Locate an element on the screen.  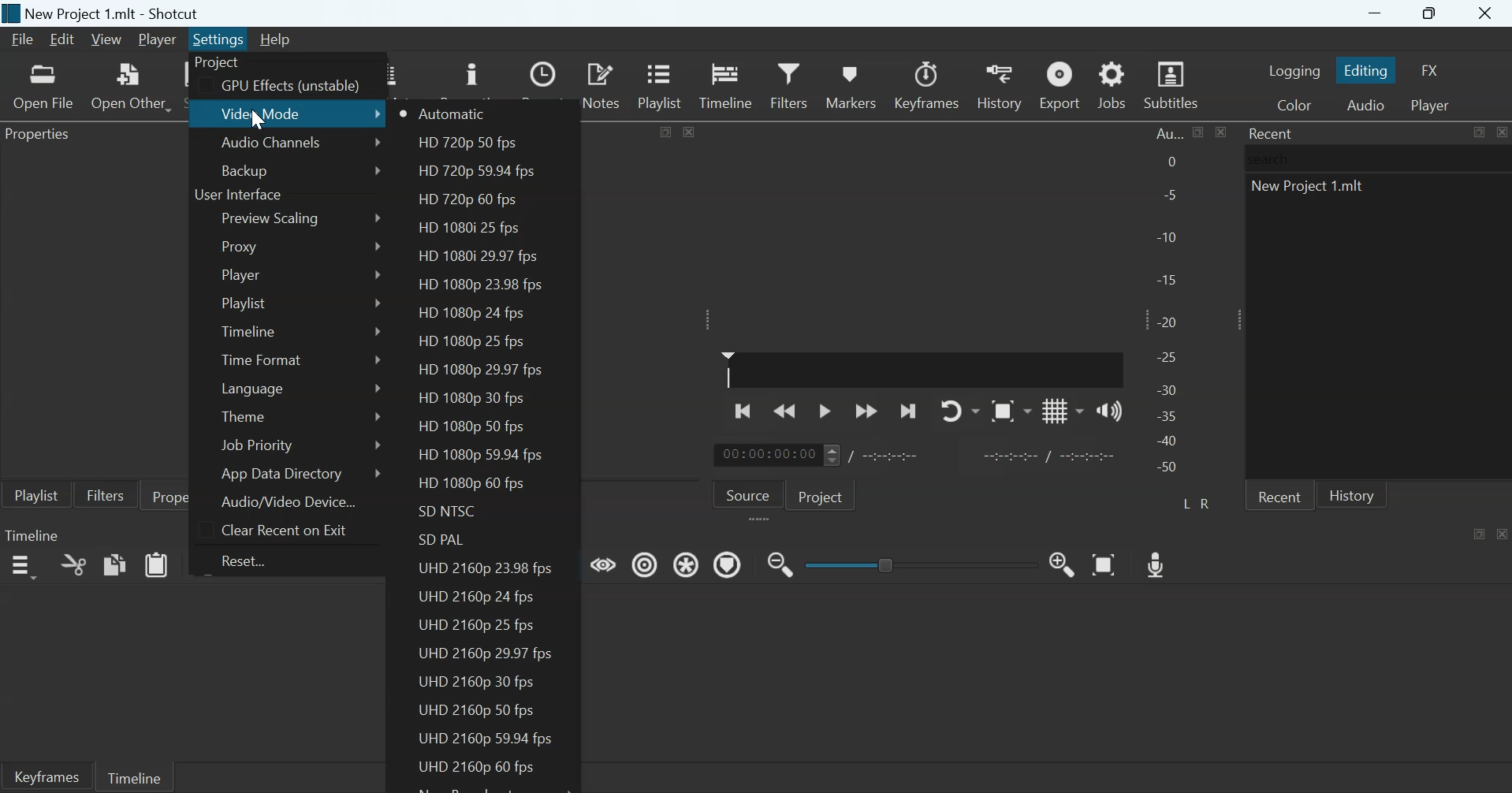
Start marker/End marker is located at coordinates (1052, 454).